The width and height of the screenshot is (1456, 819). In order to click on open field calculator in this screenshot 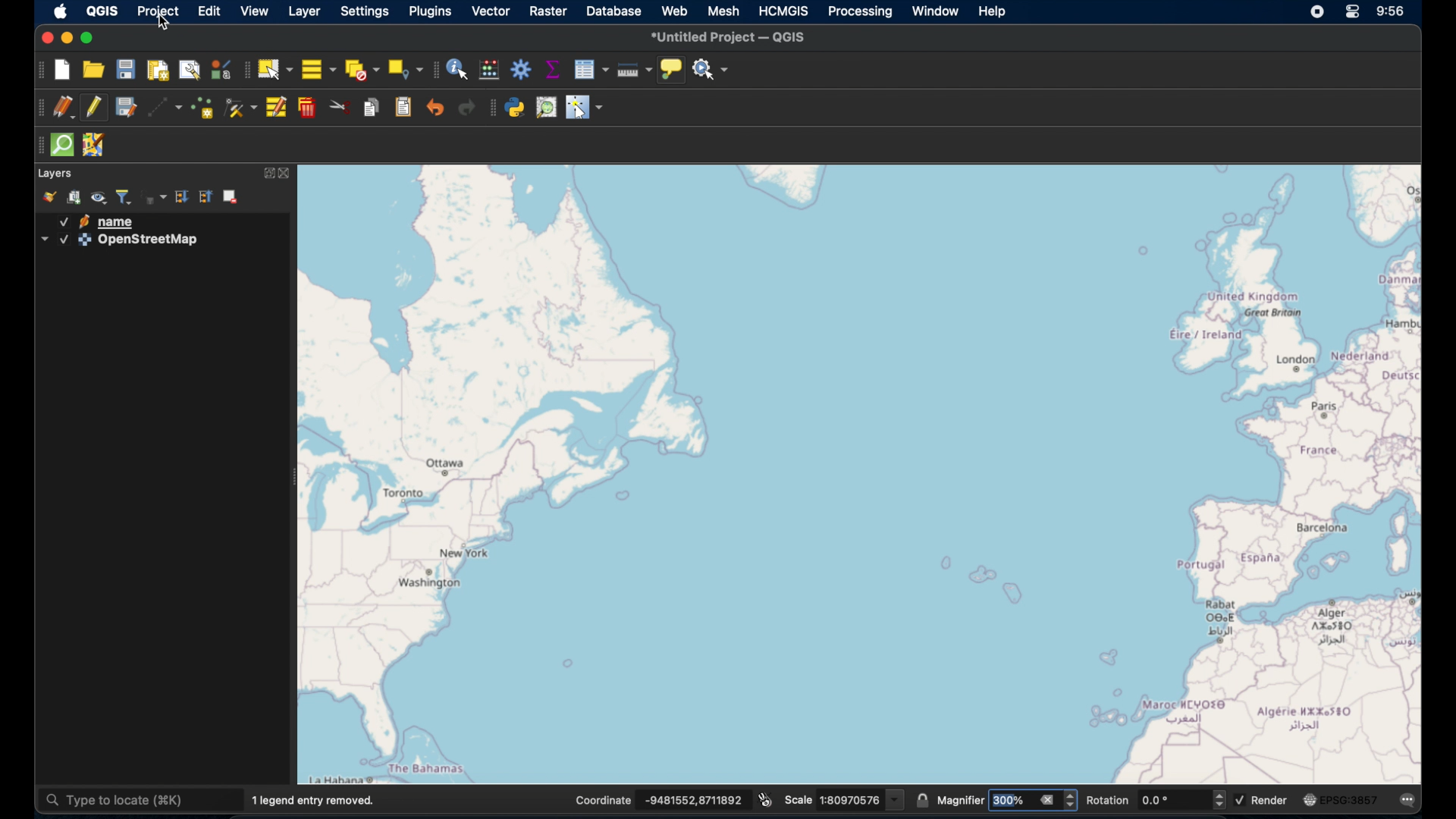, I will do `click(488, 70)`.